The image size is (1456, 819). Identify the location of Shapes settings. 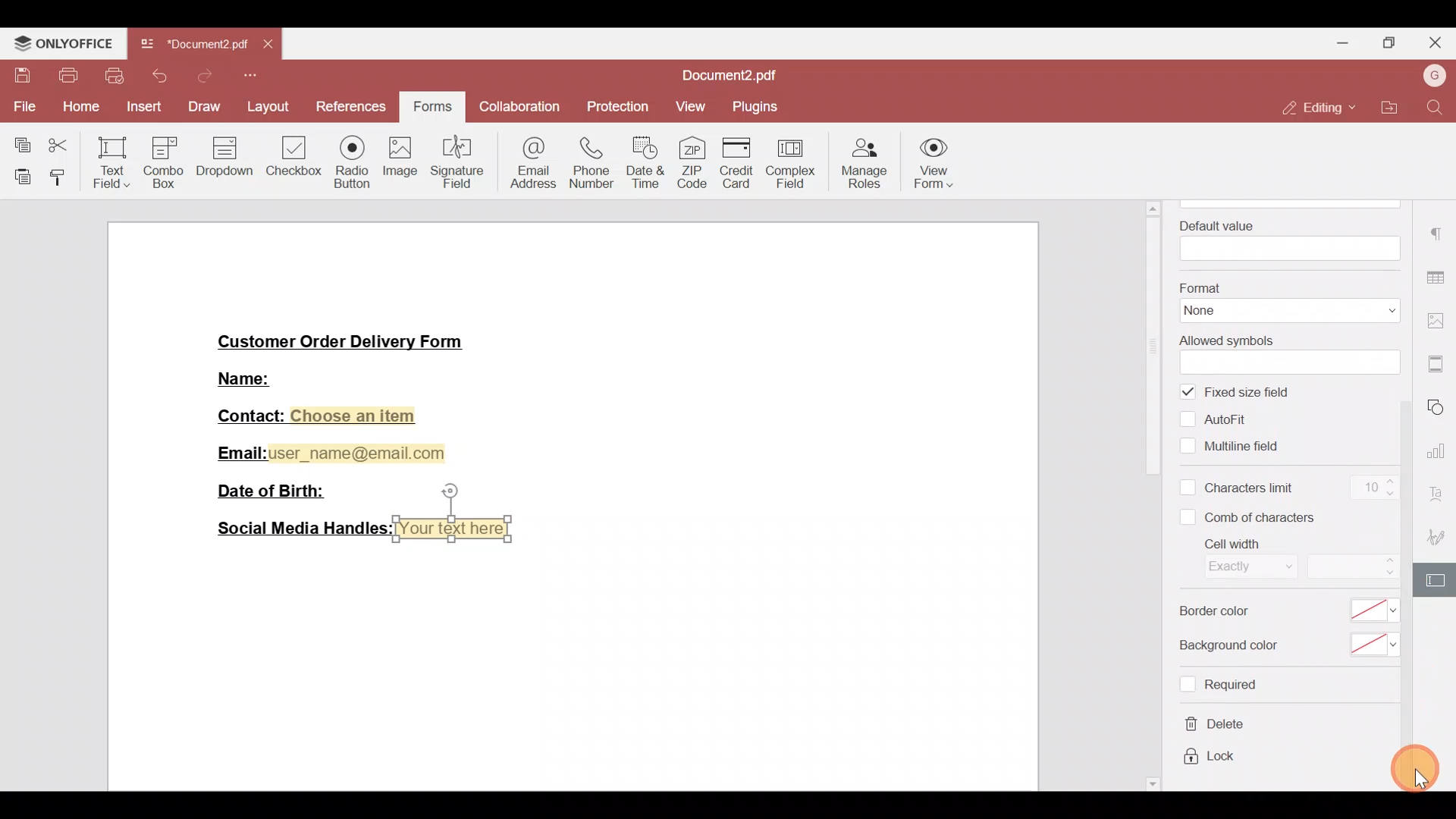
(1441, 407).